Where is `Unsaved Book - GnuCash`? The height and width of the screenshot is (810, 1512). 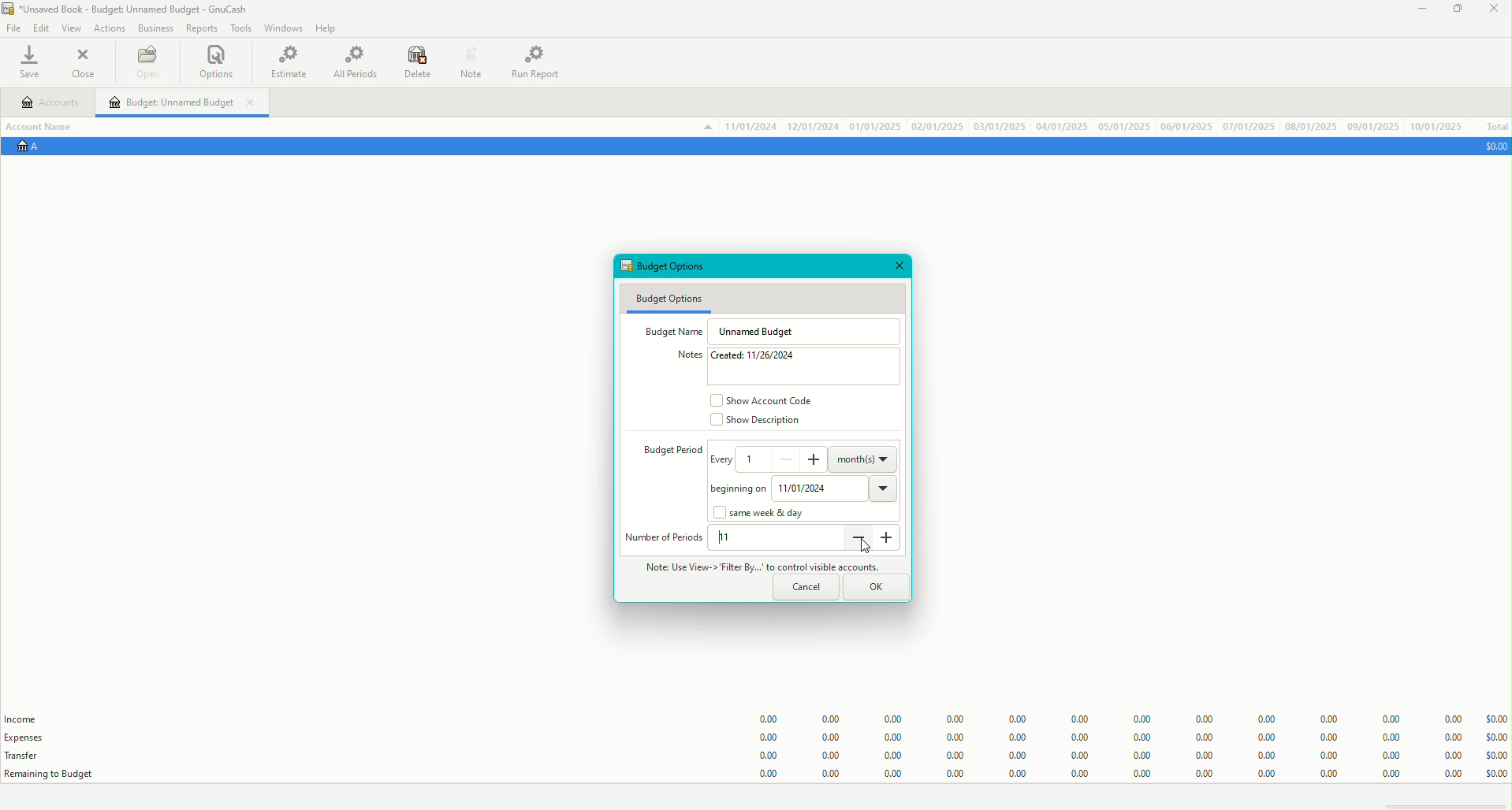 Unsaved Book - GnuCash is located at coordinates (128, 10).